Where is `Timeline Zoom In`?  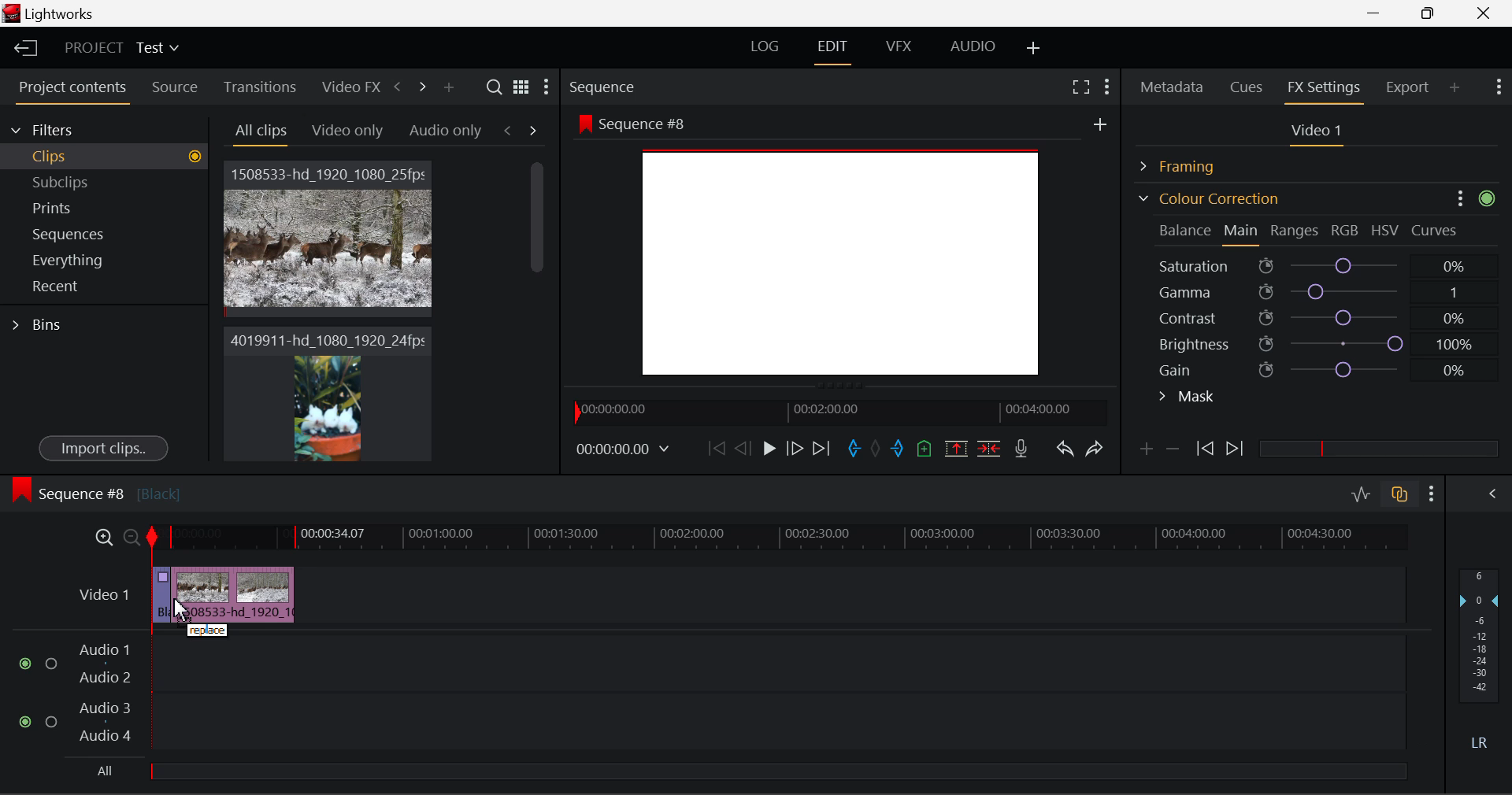
Timeline Zoom In is located at coordinates (101, 537).